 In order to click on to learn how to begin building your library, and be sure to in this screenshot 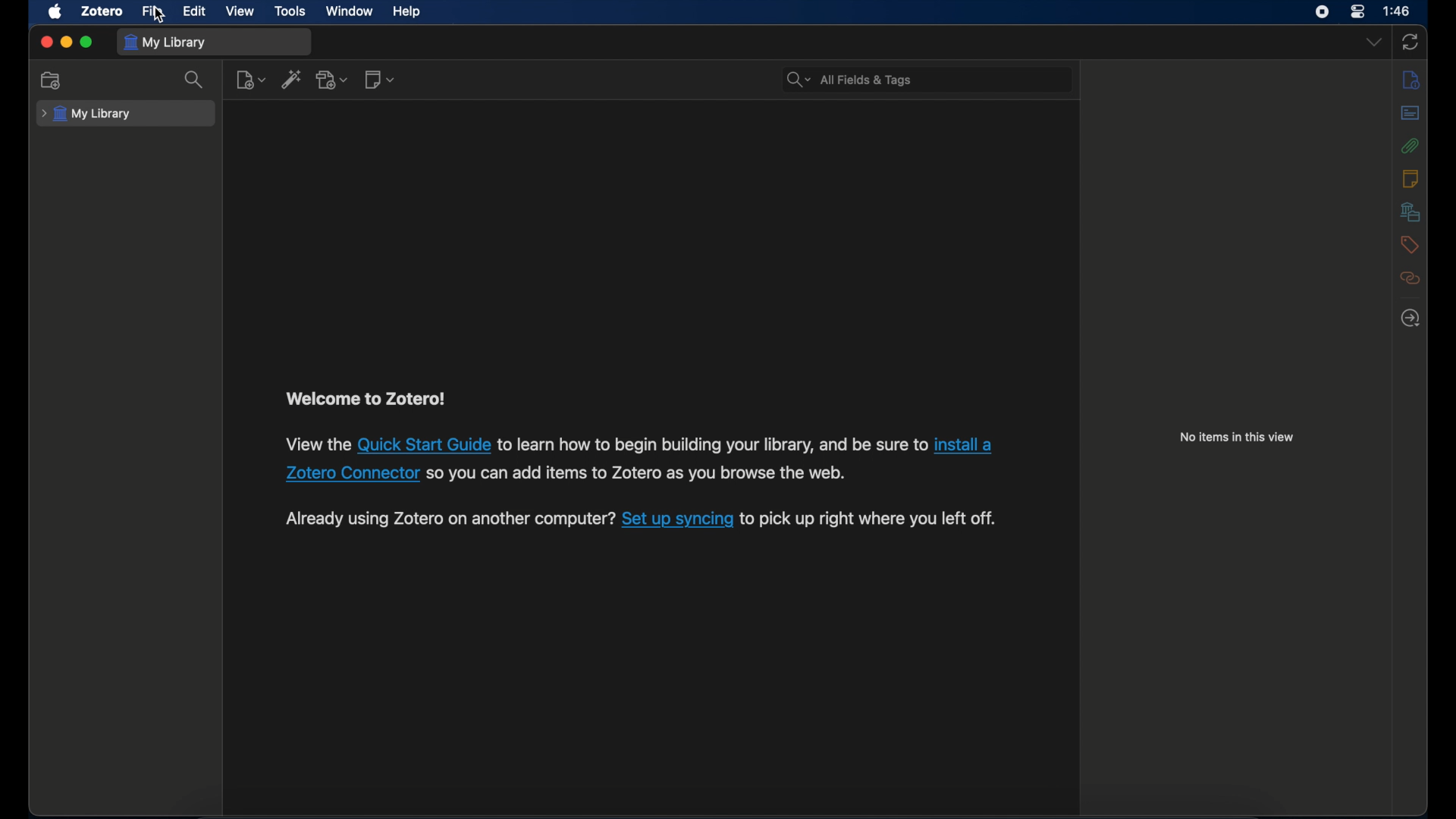, I will do `click(712, 444)`.